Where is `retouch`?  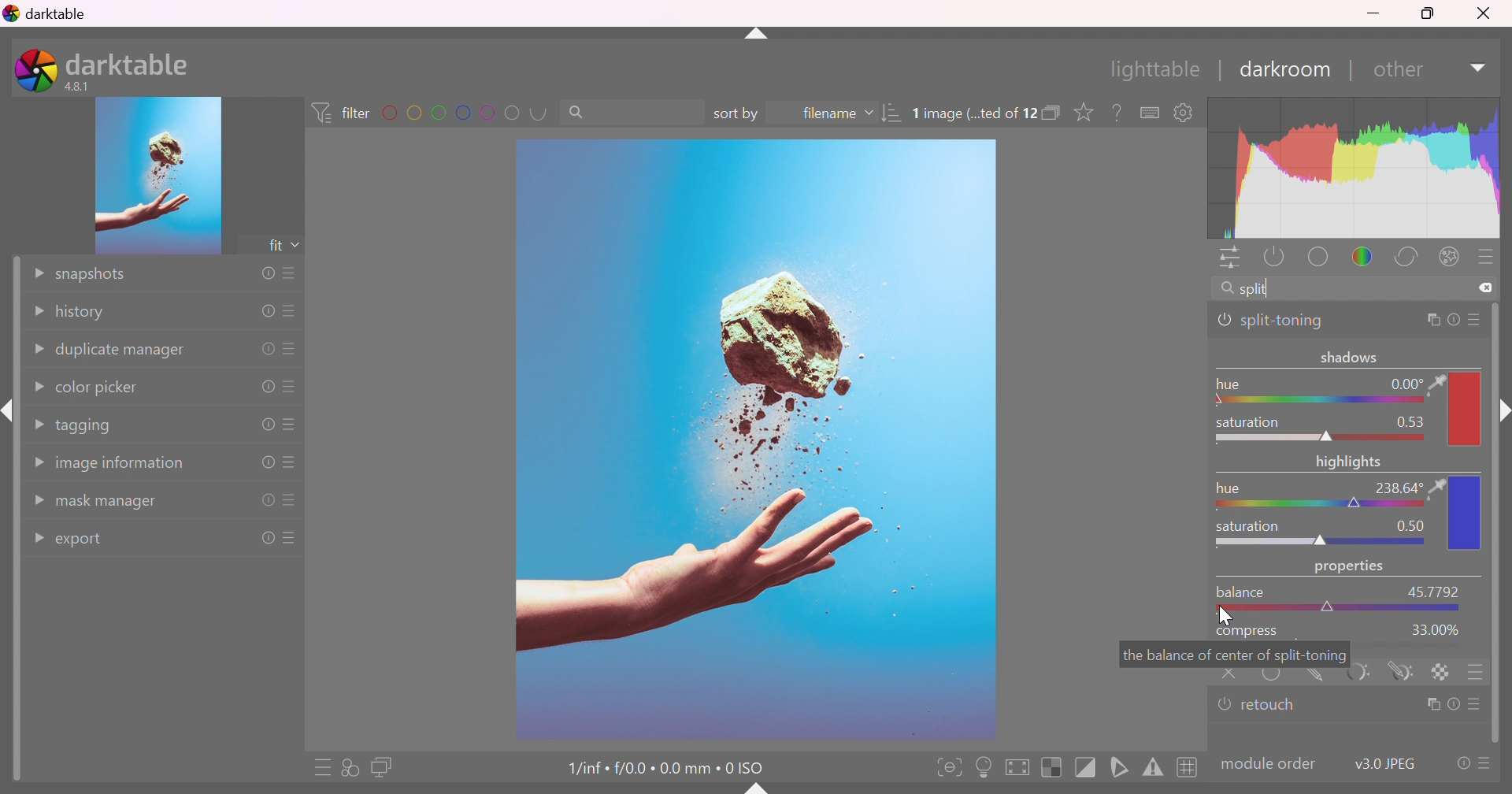
retouch is located at coordinates (1232, 675).